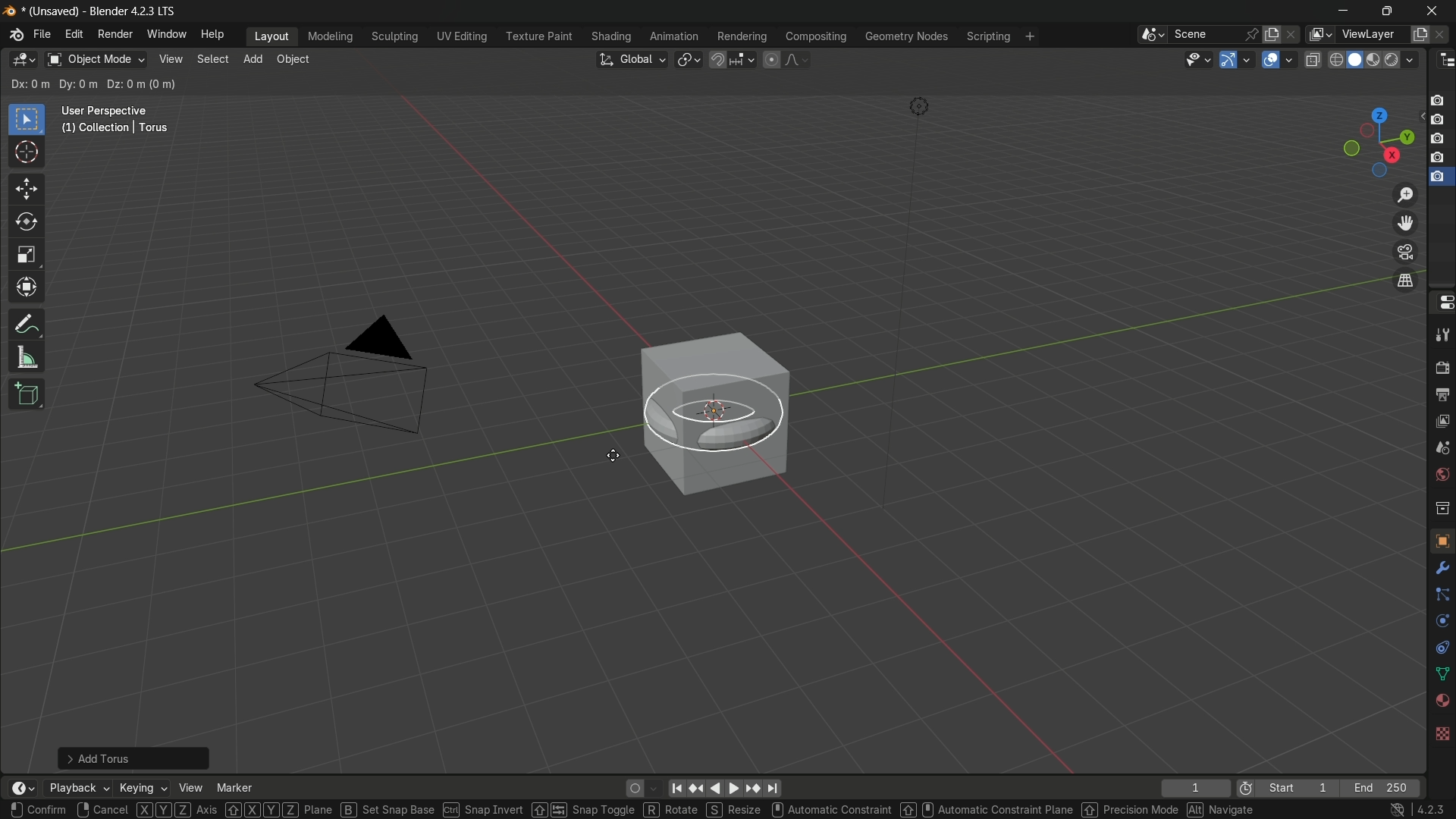  What do you see at coordinates (27, 358) in the screenshot?
I see `measure` at bounding box center [27, 358].